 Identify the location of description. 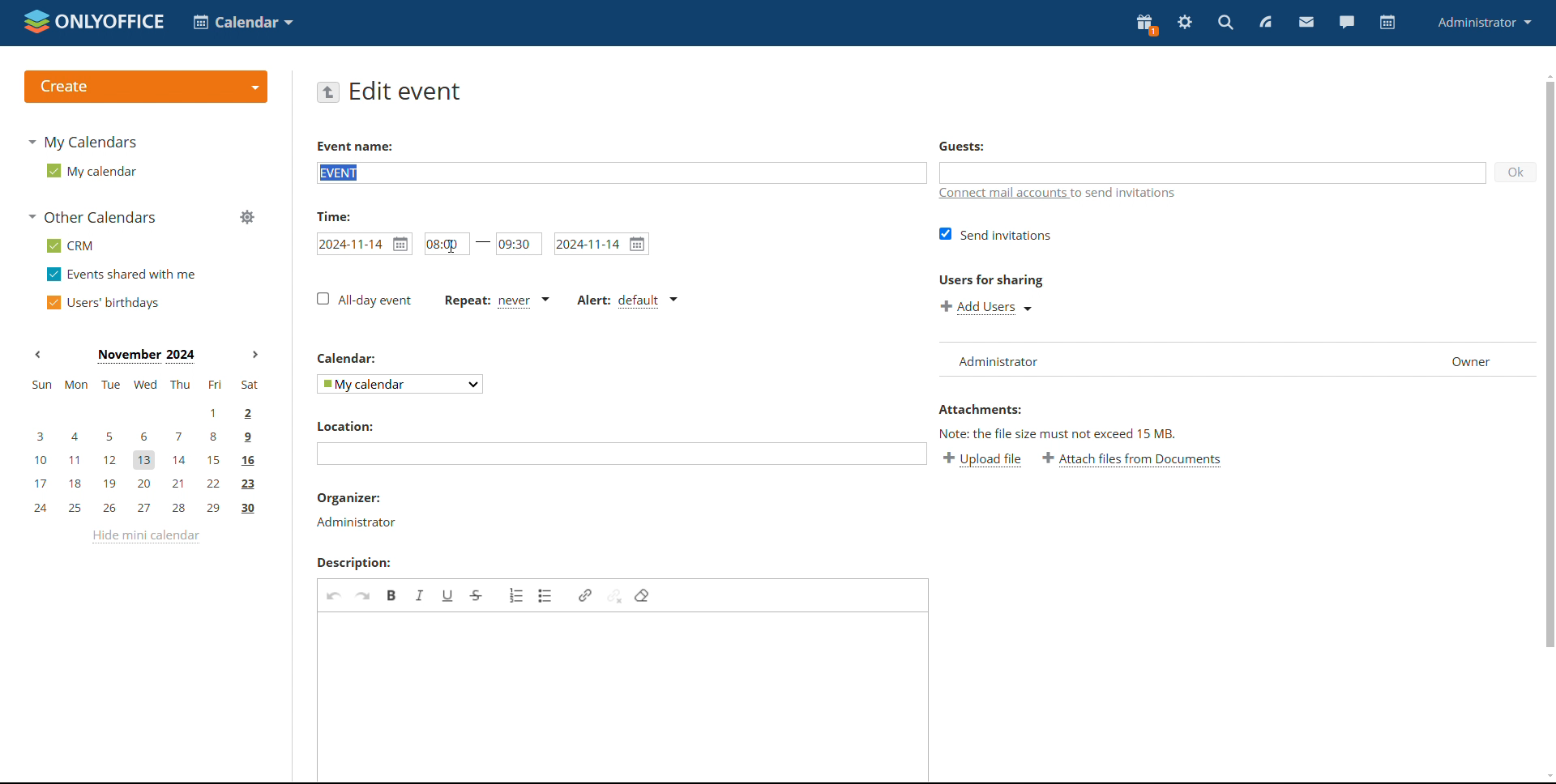
(354, 563).